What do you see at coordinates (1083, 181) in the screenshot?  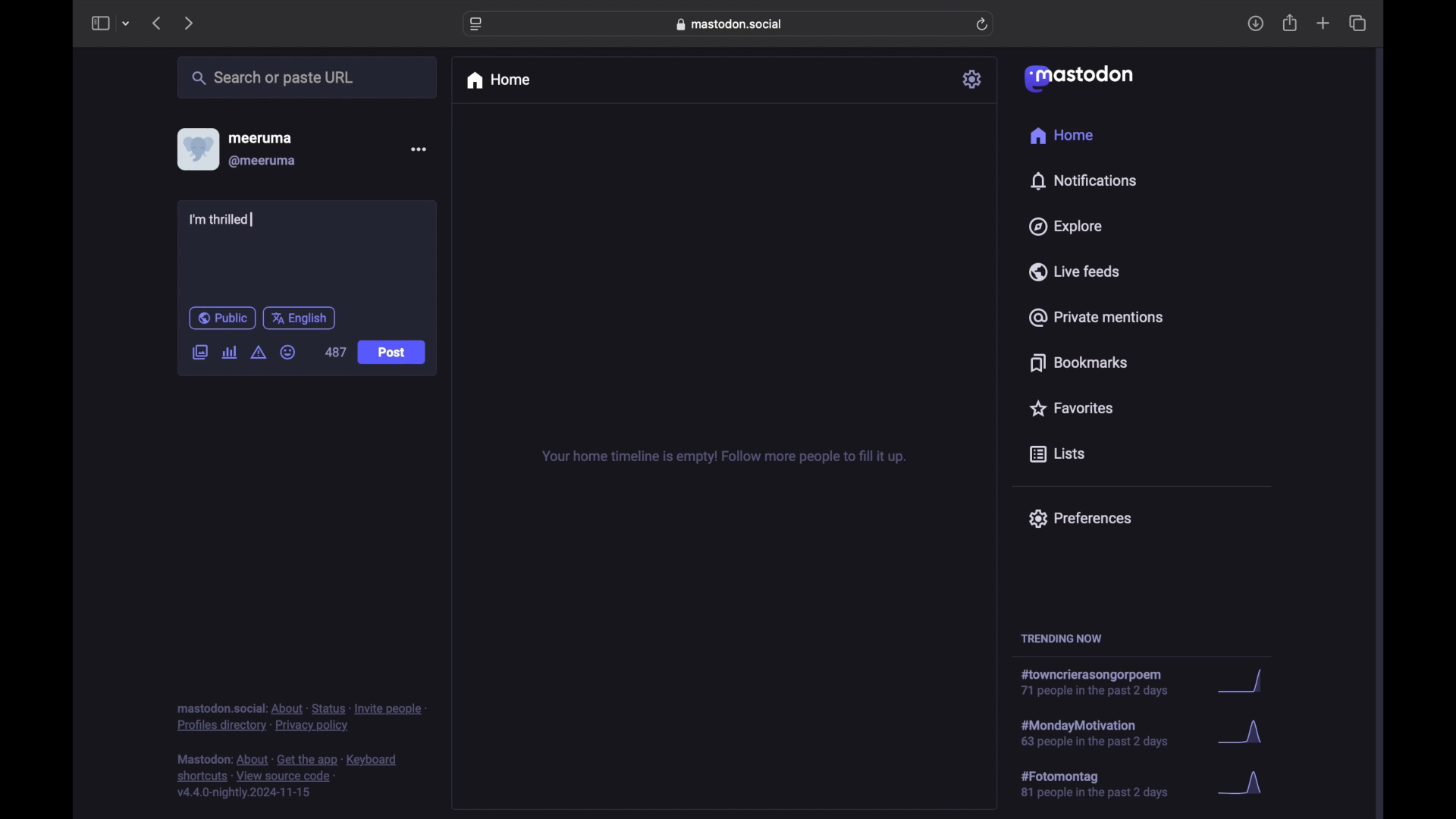 I see `notifications` at bounding box center [1083, 181].